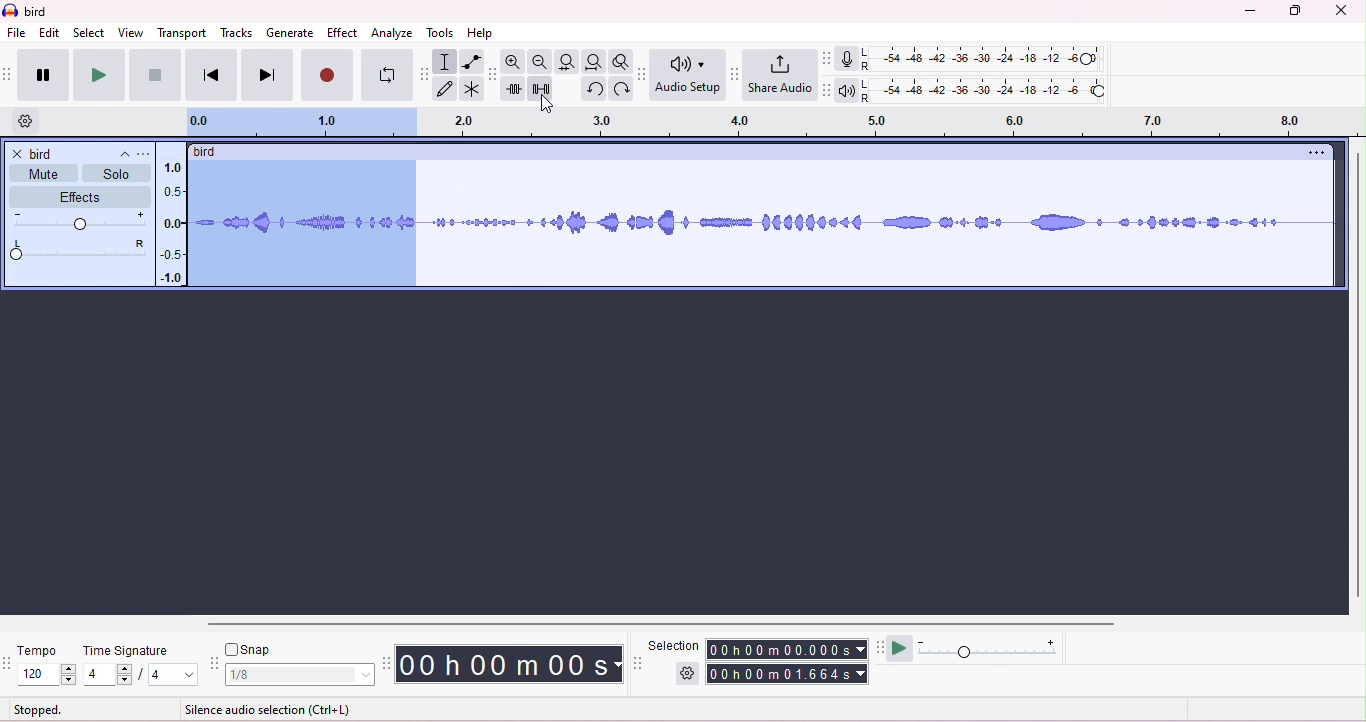 The height and width of the screenshot is (722, 1366). I want to click on waveform, so click(883, 219).